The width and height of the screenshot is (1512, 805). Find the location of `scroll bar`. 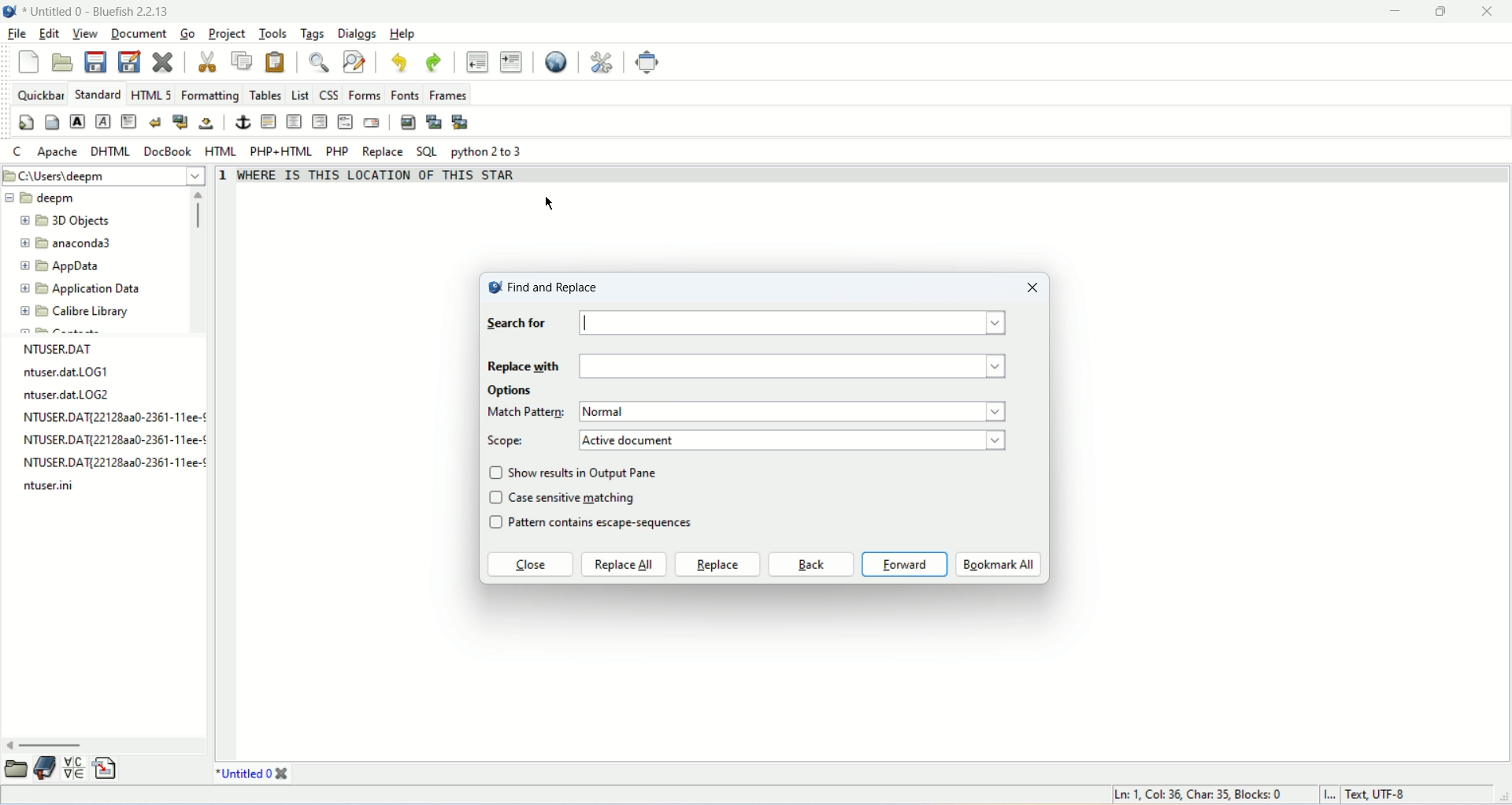

scroll bar is located at coordinates (105, 744).